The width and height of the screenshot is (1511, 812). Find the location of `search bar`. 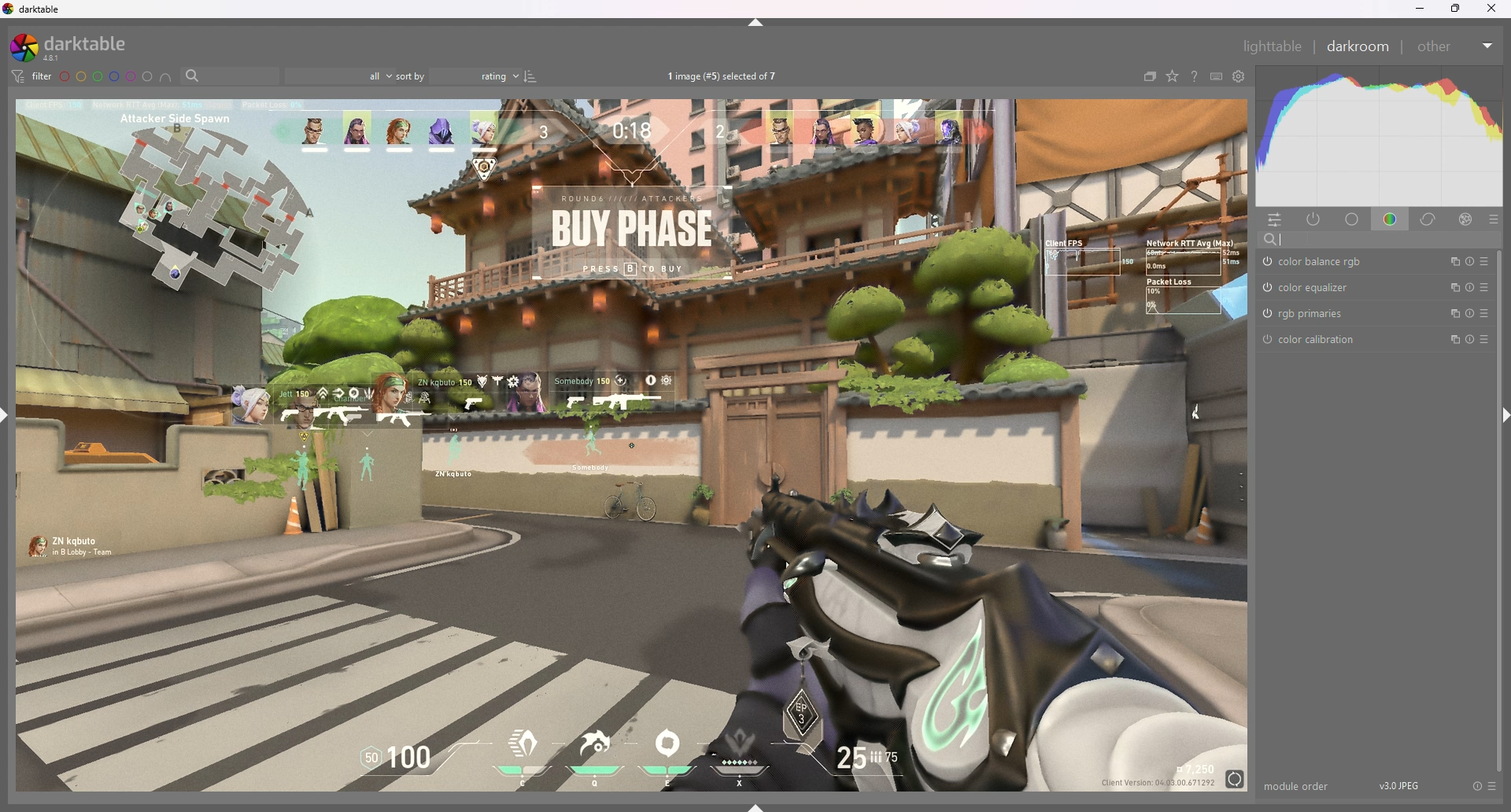

search bar is located at coordinates (227, 76).